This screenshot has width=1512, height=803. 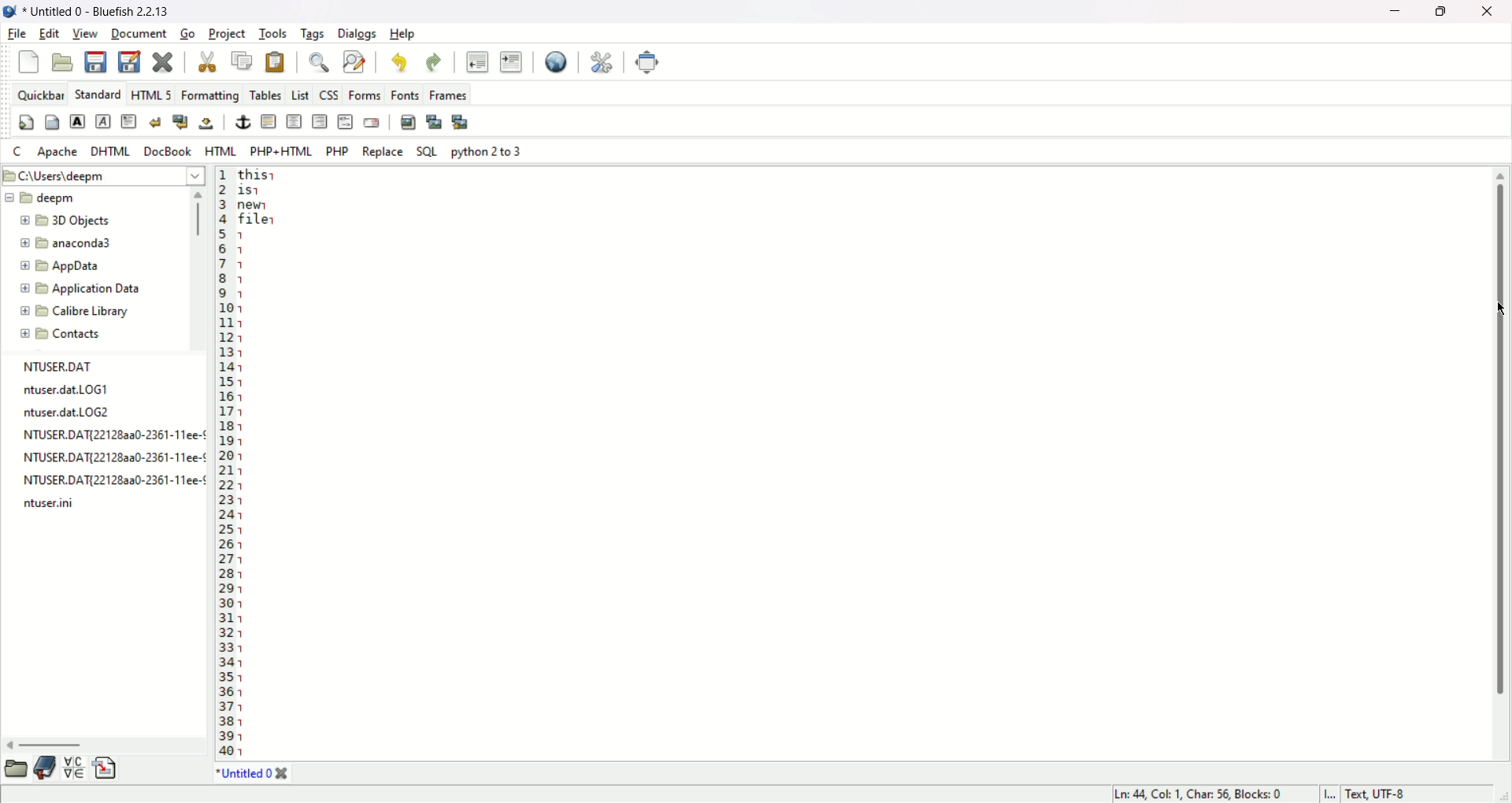 What do you see at coordinates (79, 312) in the screenshot?
I see `Folder name` at bounding box center [79, 312].